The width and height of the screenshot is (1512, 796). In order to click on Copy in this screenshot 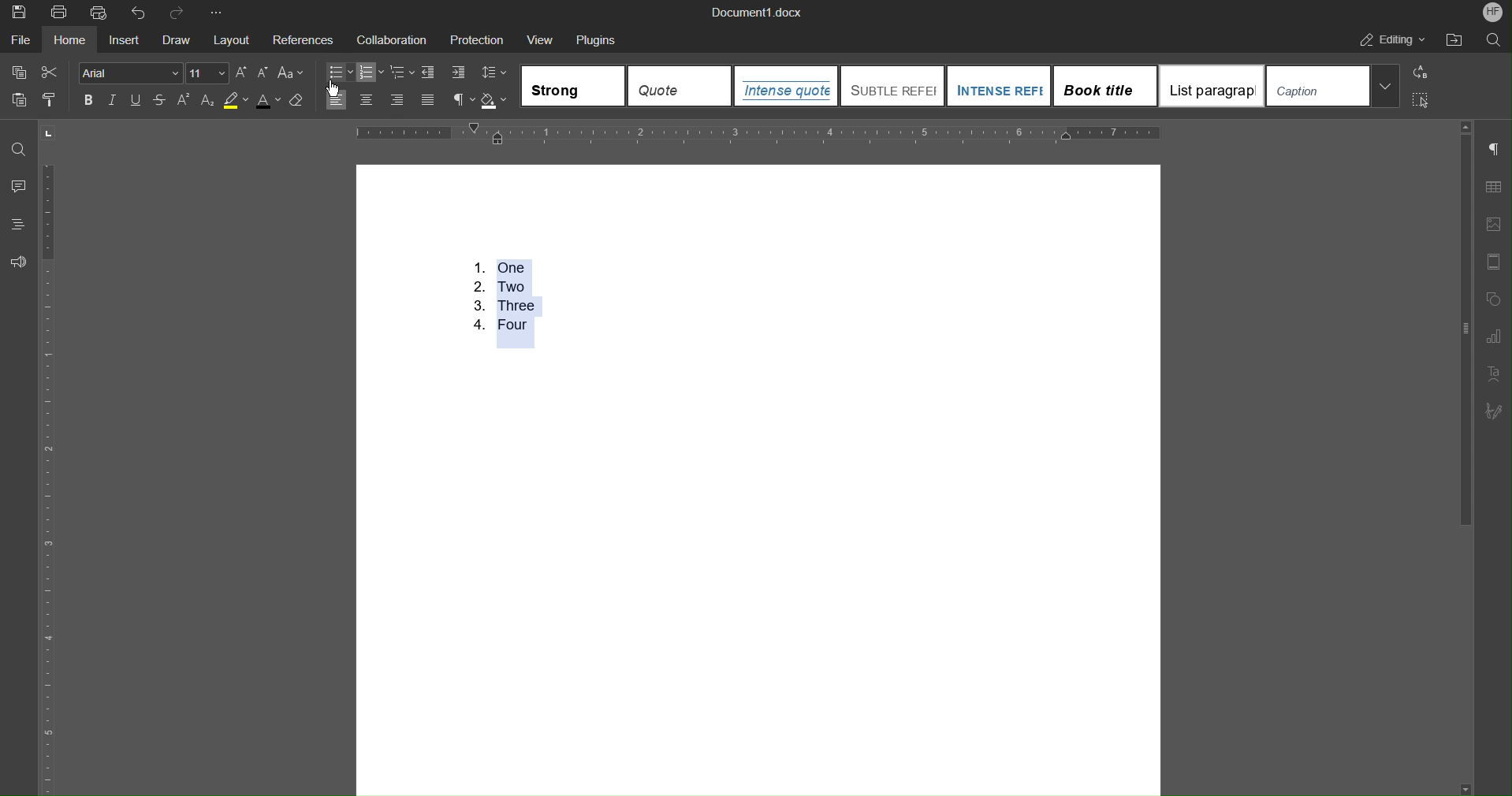, I will do `click(16, 73)`.